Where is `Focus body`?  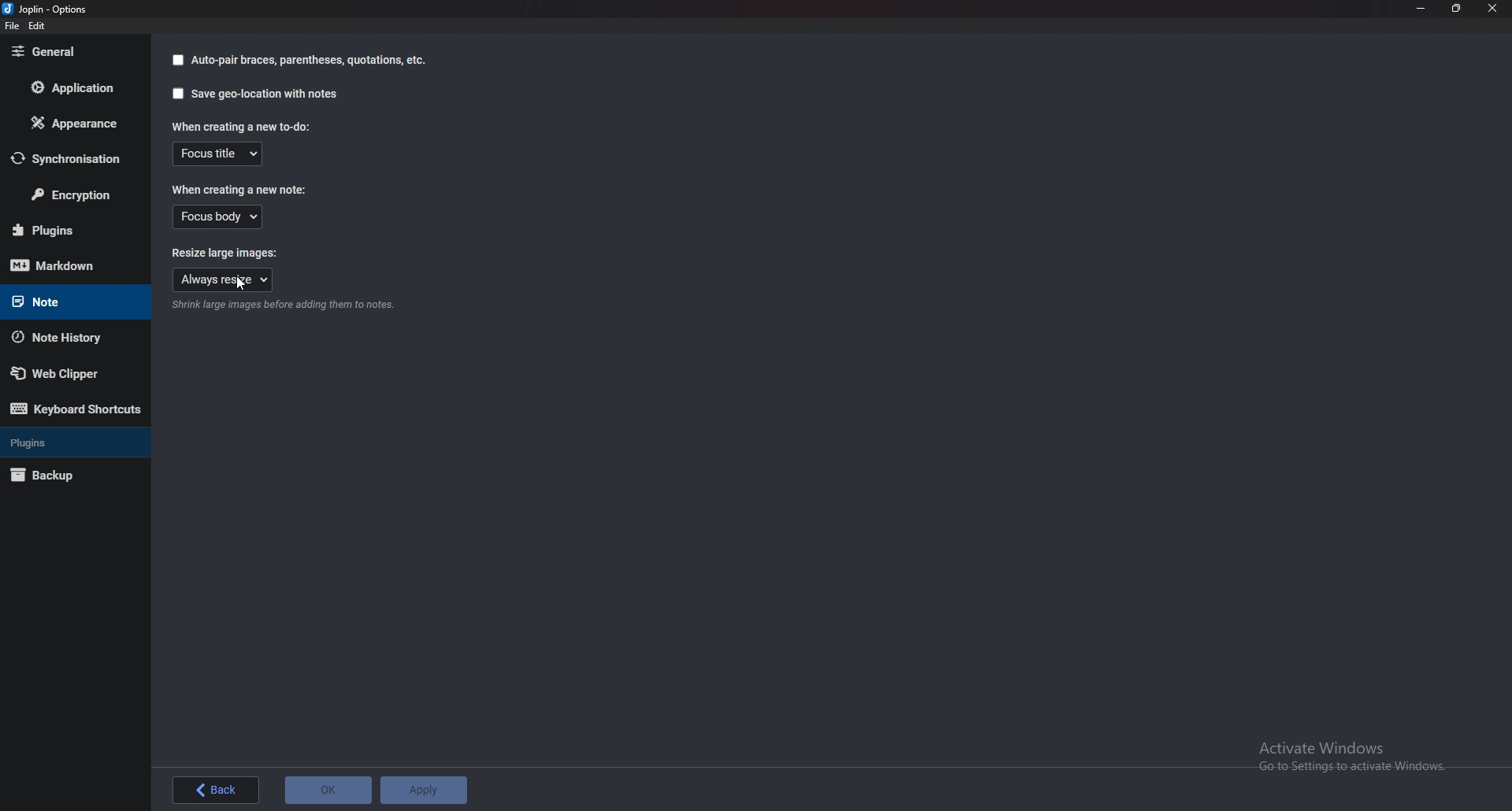
Focus body is located at coordinates (218, 218).